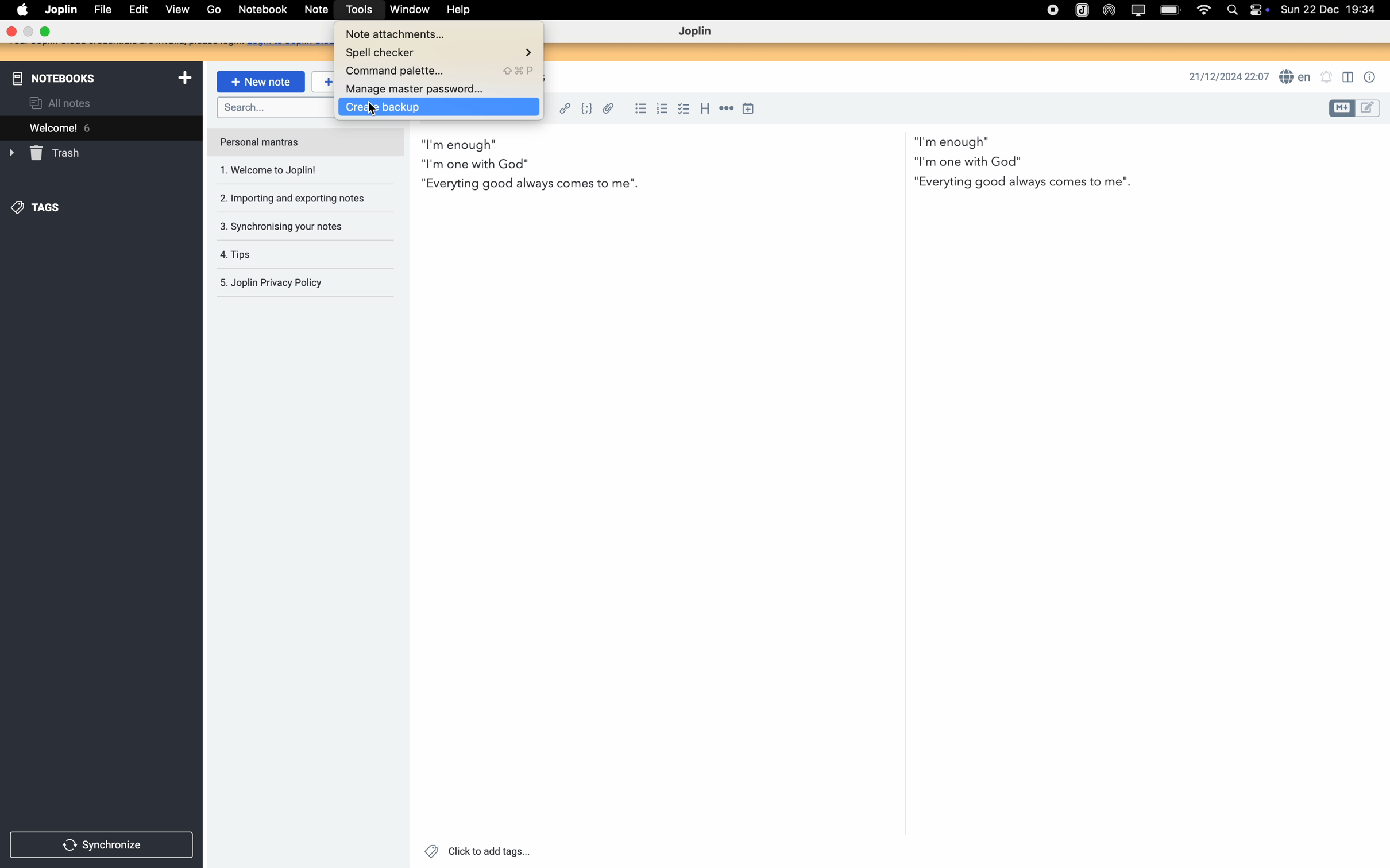 The image size is (1390, 868). Describe the element at coordinates (275, 172) in the screenshot. I see `welcome to joplin note` at that location.